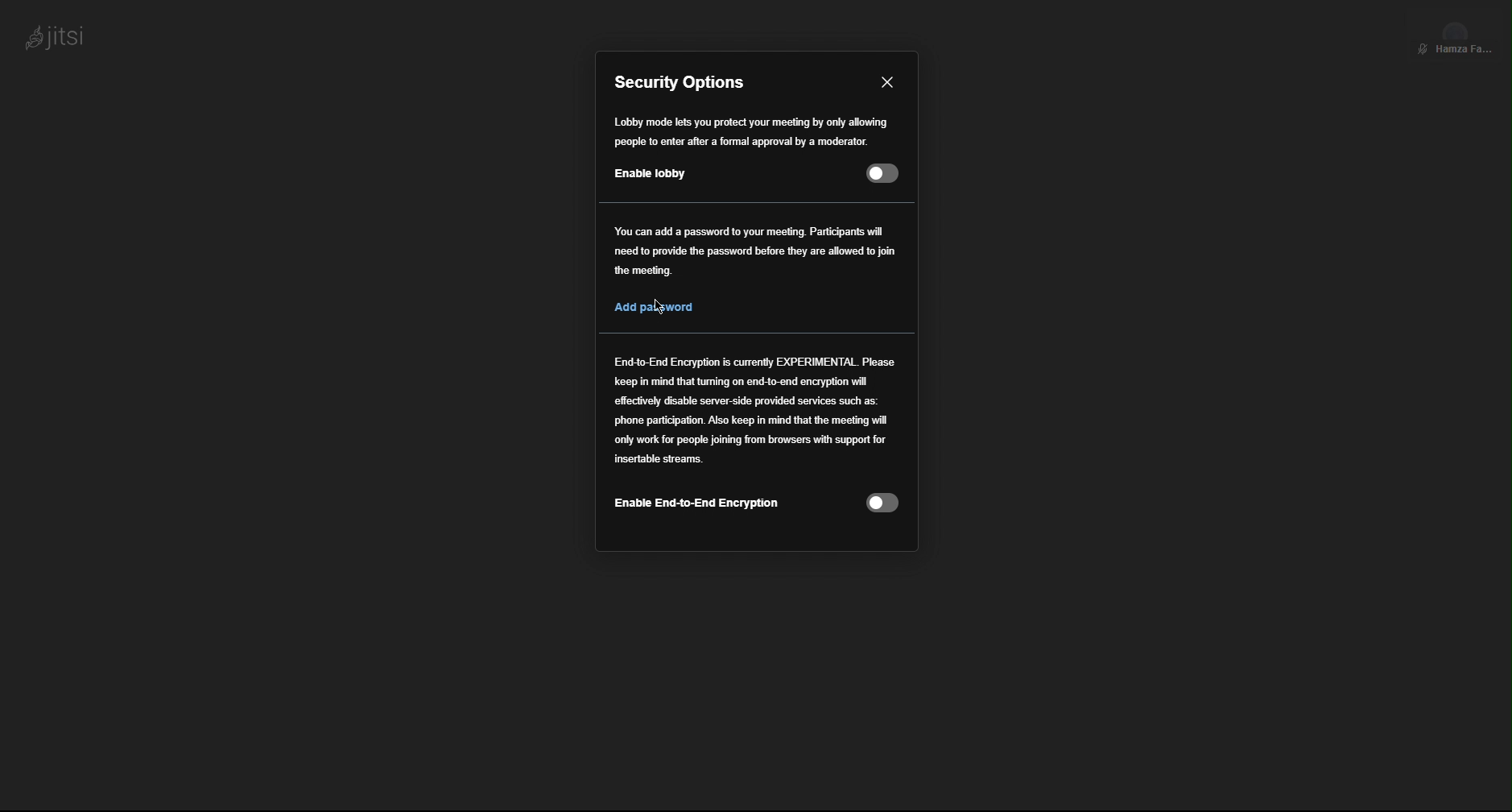 Image resolution: width=1512 pixels, height=812 pixels. I want to click on Cursor, so click(659, 307).